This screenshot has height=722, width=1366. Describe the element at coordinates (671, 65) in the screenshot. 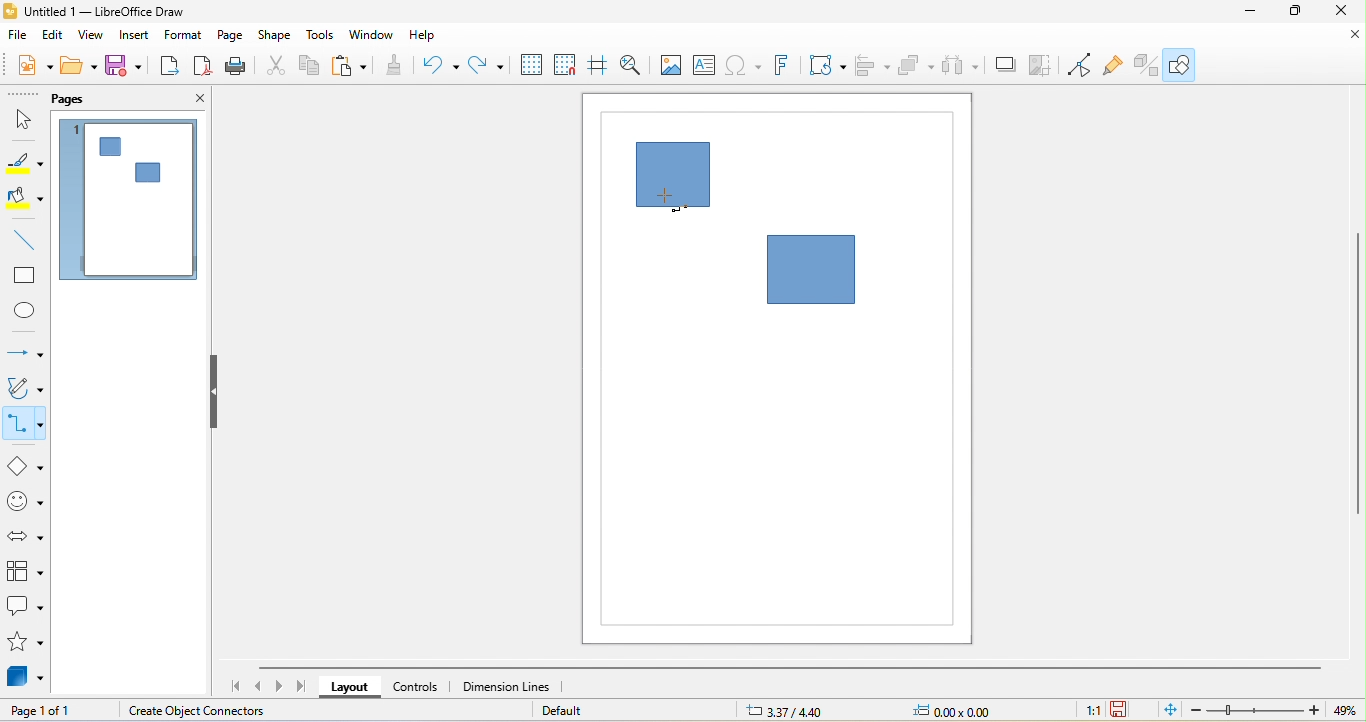

I see `image` at that location.